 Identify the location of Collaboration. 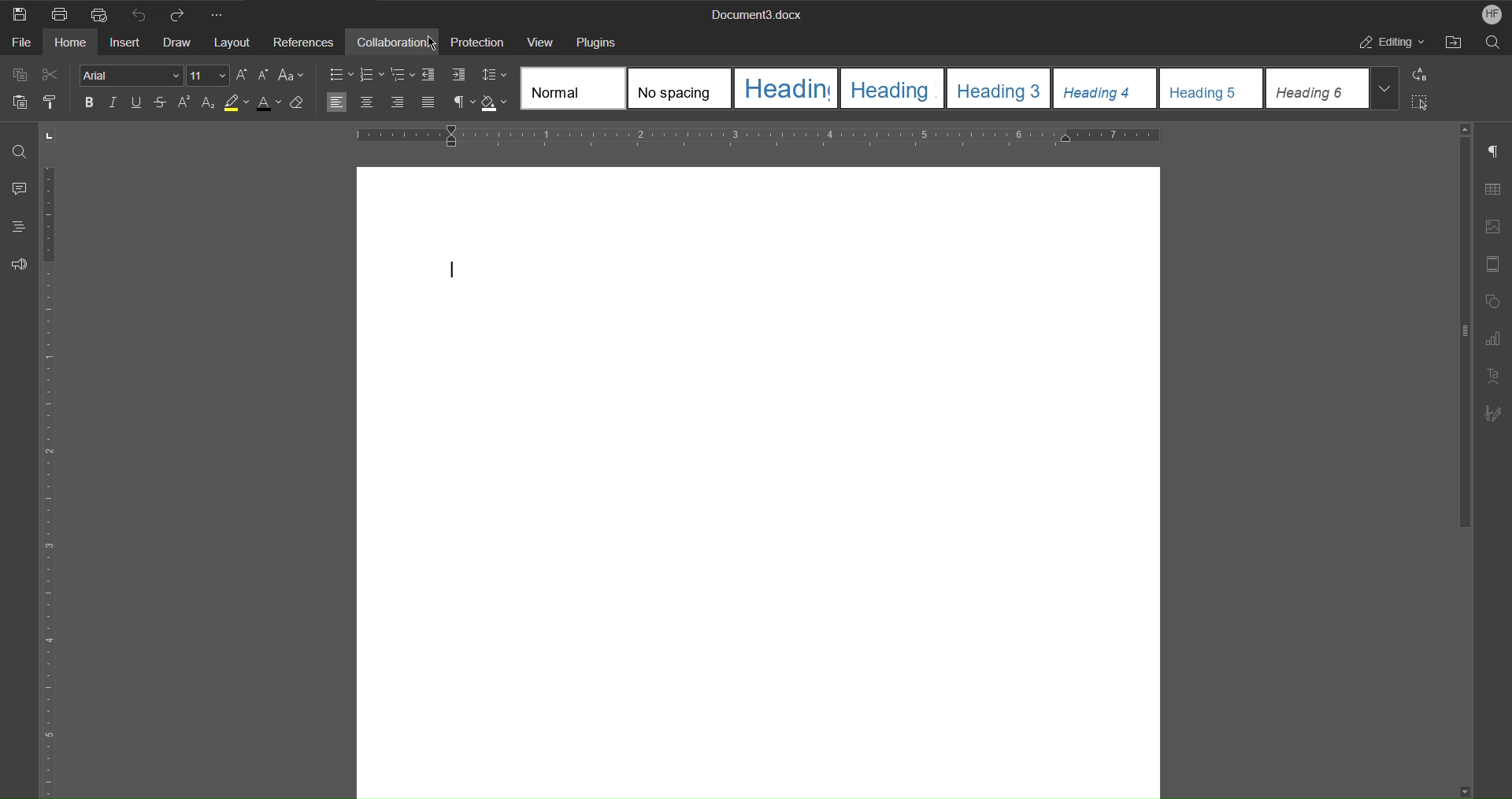
(396, 42).